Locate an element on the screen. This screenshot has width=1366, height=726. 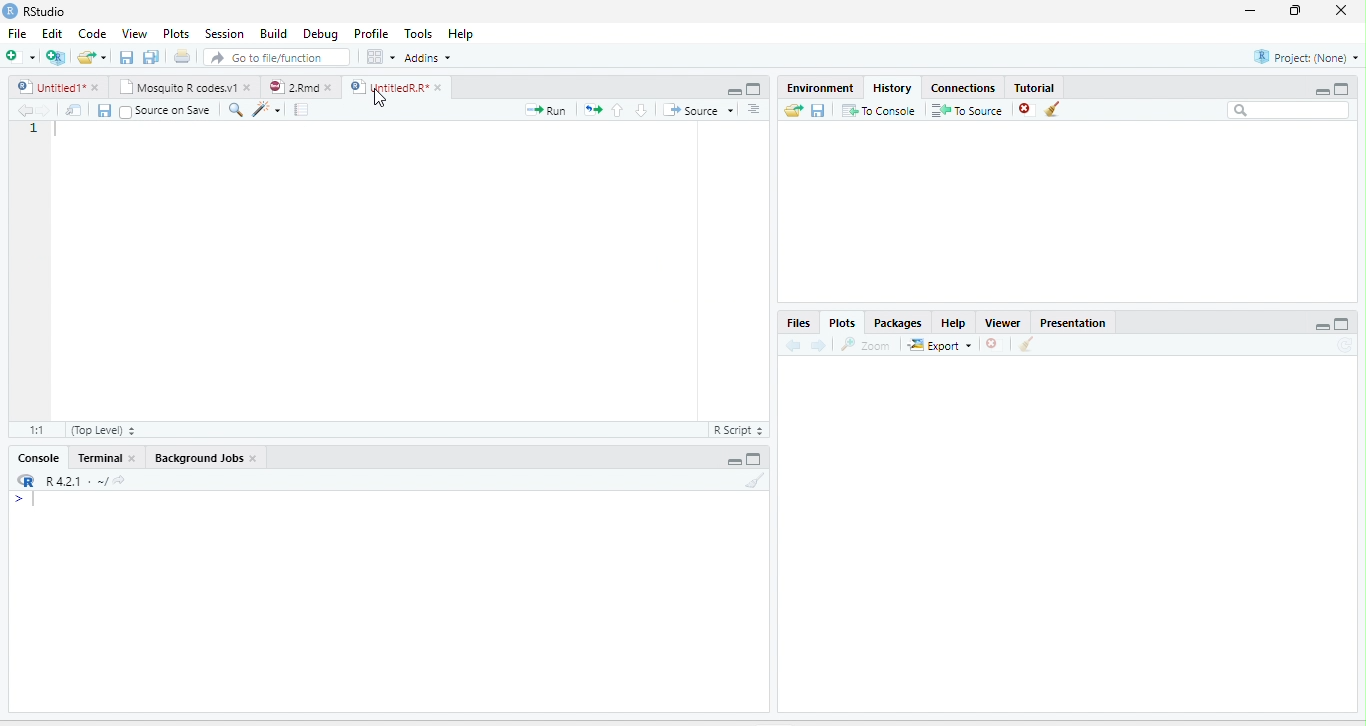
Open recent files is located at coordinates (104, 57).